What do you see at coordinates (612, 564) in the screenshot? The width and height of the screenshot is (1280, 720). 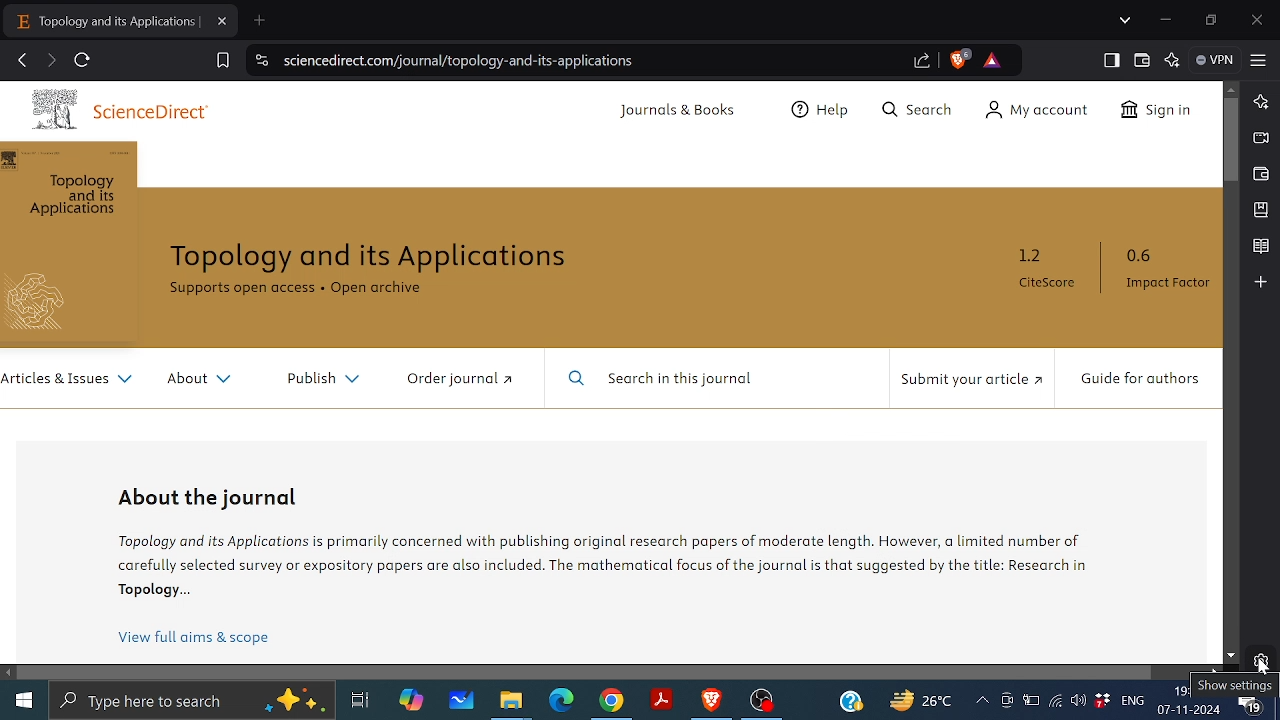 I see `Topology and its Applications is primarily concerned with publishing original research papers of moderate length. However, a limited number of
carefully selected survey or expository papers are also included. The mathematical focus of the journal is that suggested by the title: Research in
Topology...` at bounding box center [612, 564].